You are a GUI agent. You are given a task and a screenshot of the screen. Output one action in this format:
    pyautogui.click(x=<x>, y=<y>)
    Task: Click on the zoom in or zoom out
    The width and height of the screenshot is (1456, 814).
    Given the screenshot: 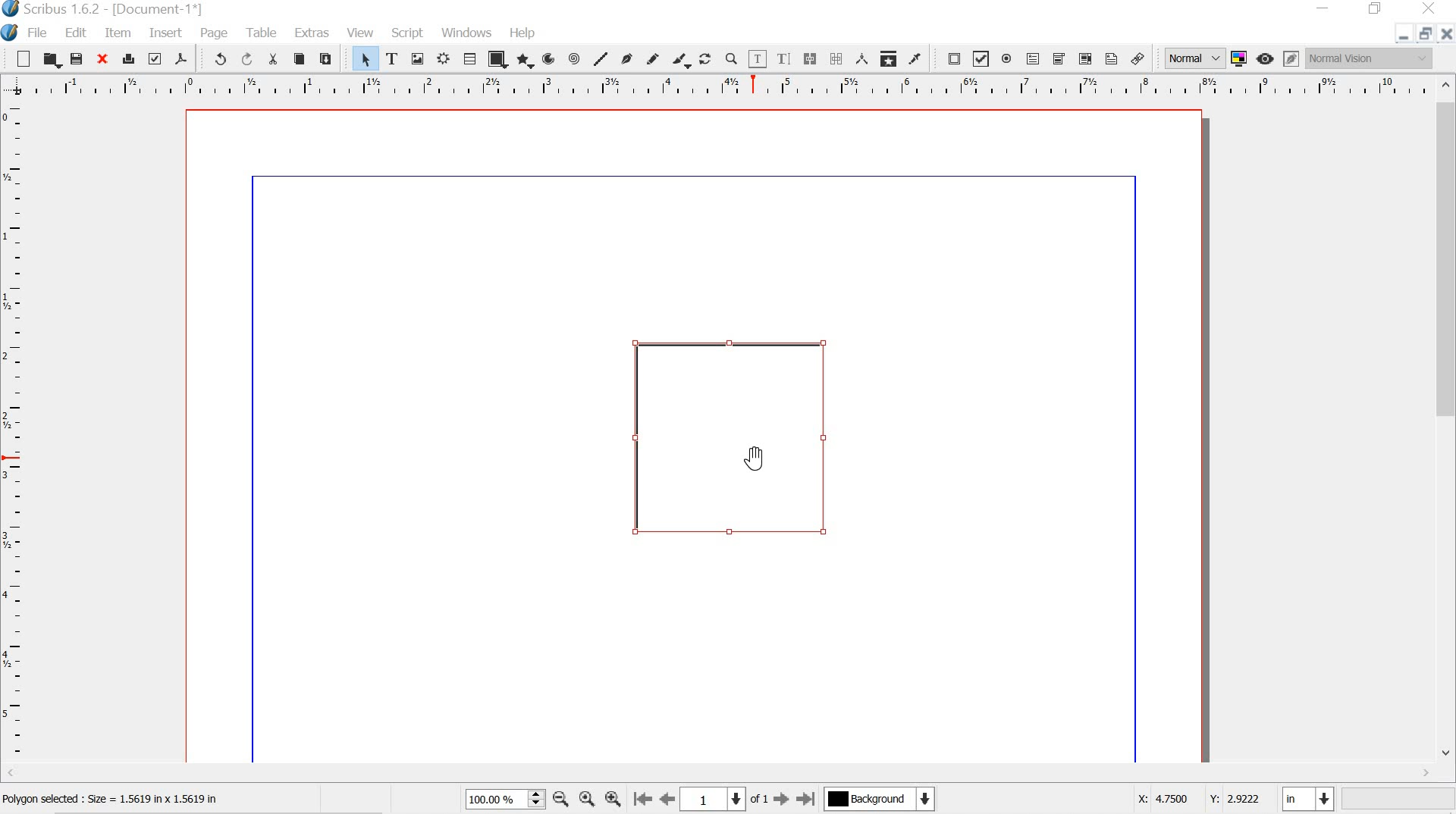 What is the action you would take?
    pyautogui.click(x=731, y=58)
    